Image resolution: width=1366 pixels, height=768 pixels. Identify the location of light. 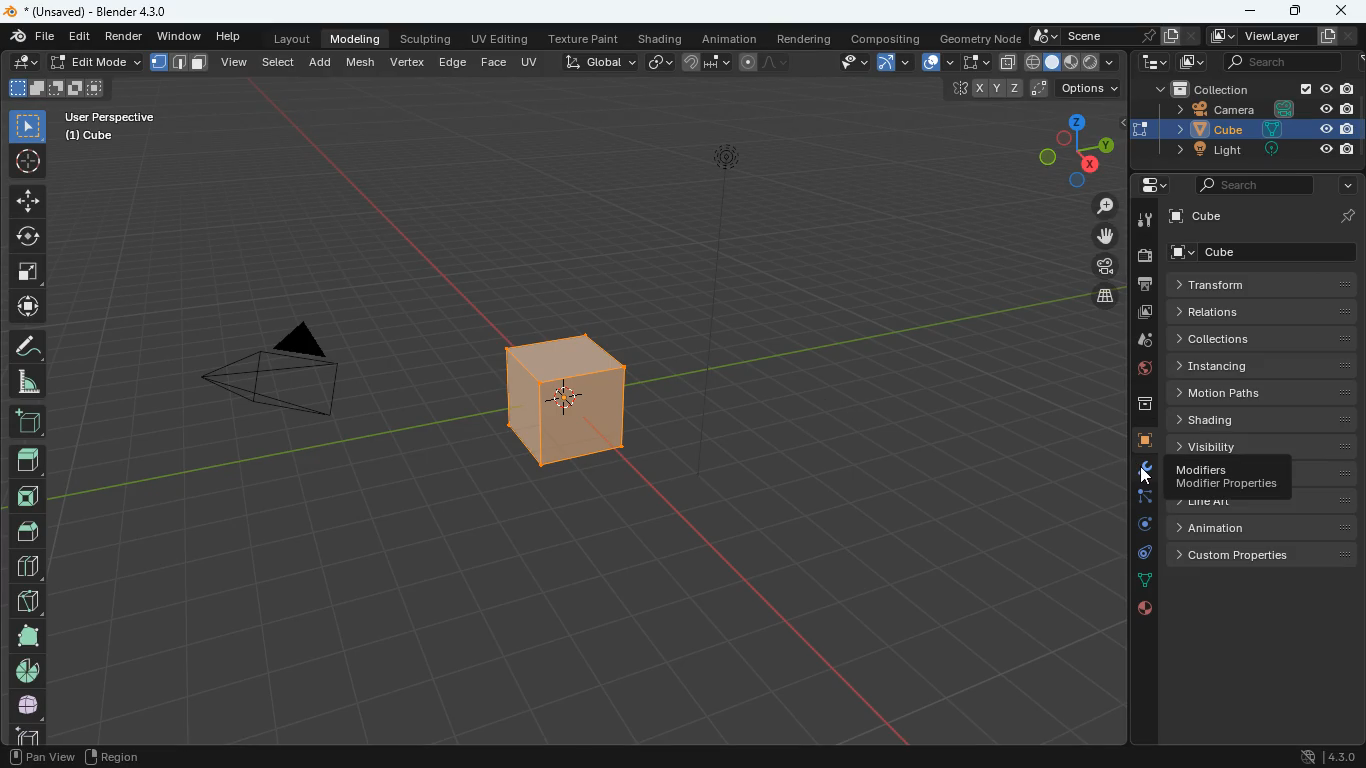
(1258, 151).